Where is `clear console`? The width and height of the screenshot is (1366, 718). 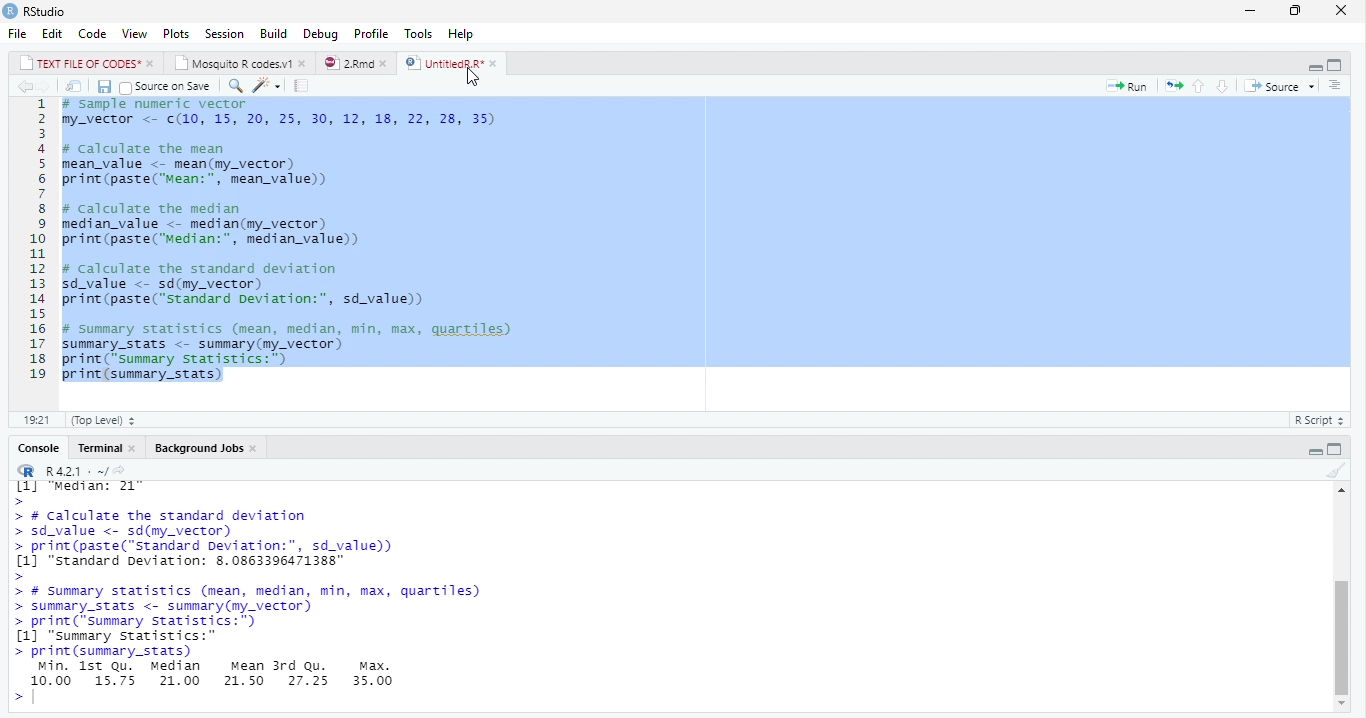 clear console is located at coordinates (1336, 471).